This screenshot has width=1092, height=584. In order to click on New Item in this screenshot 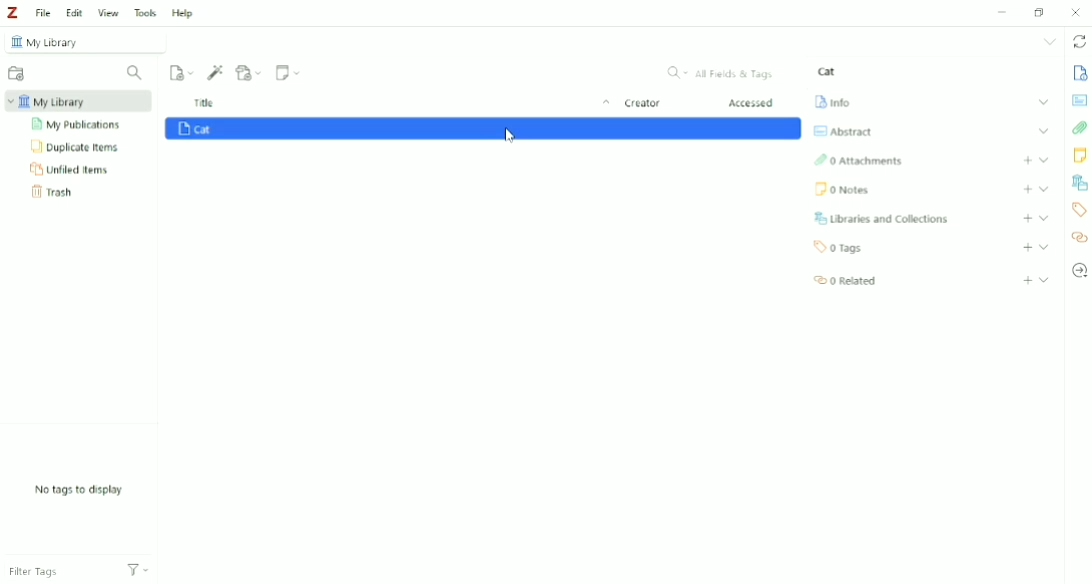, I will do `click(182, 71)`.